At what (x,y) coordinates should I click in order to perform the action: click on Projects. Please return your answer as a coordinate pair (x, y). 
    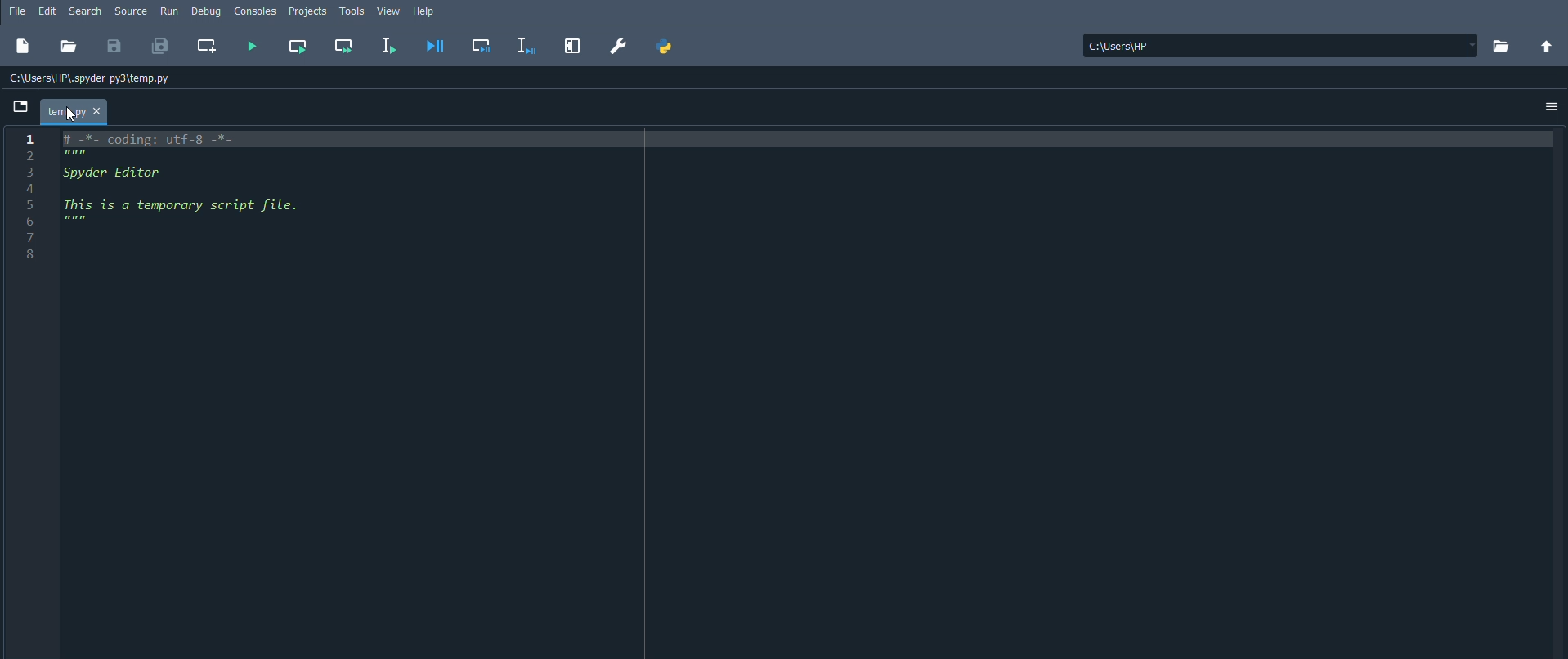
    Looking at the image, I should click on (307, 11).